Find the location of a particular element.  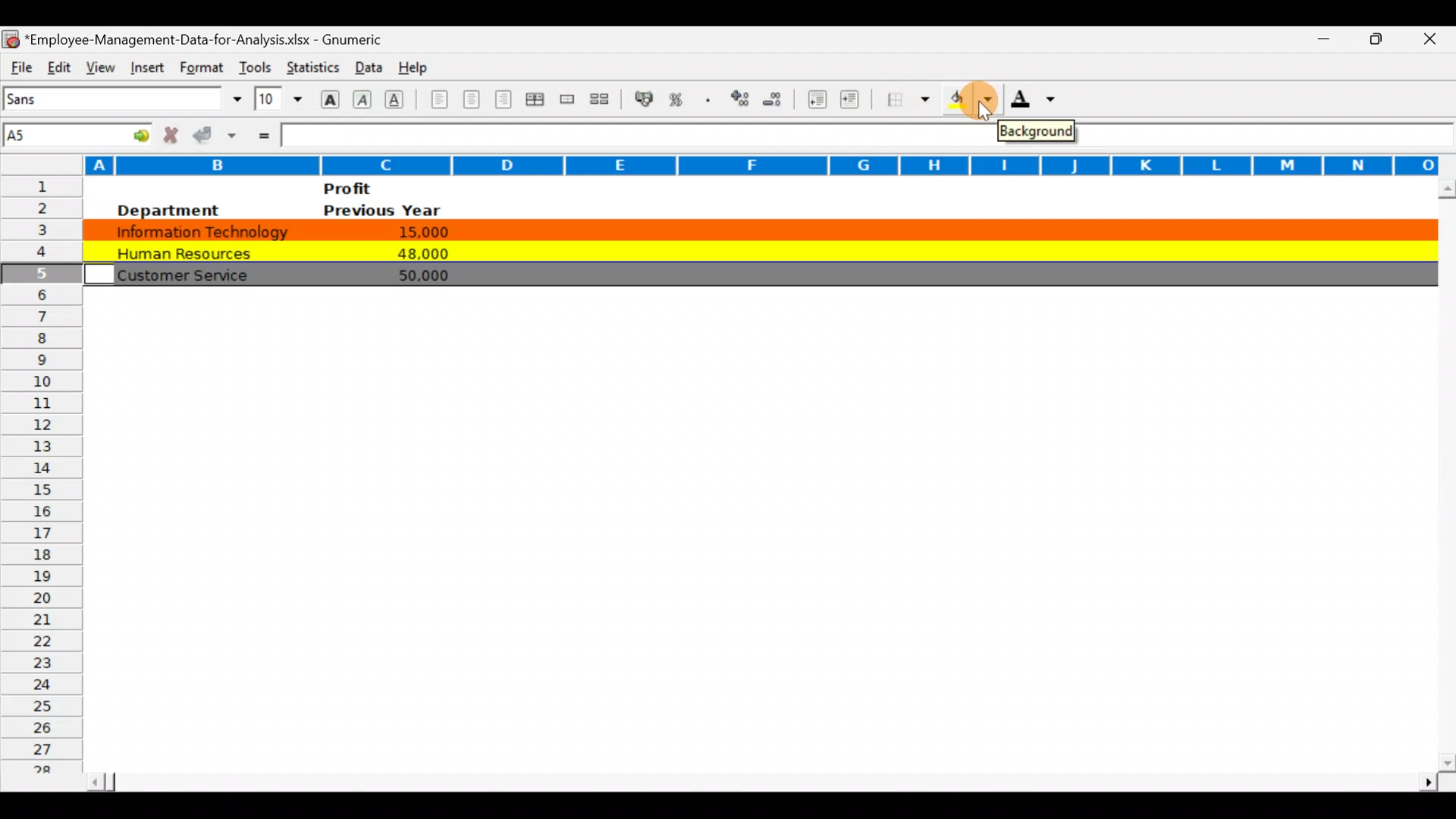

Insert is located at coordinates (145, 65).